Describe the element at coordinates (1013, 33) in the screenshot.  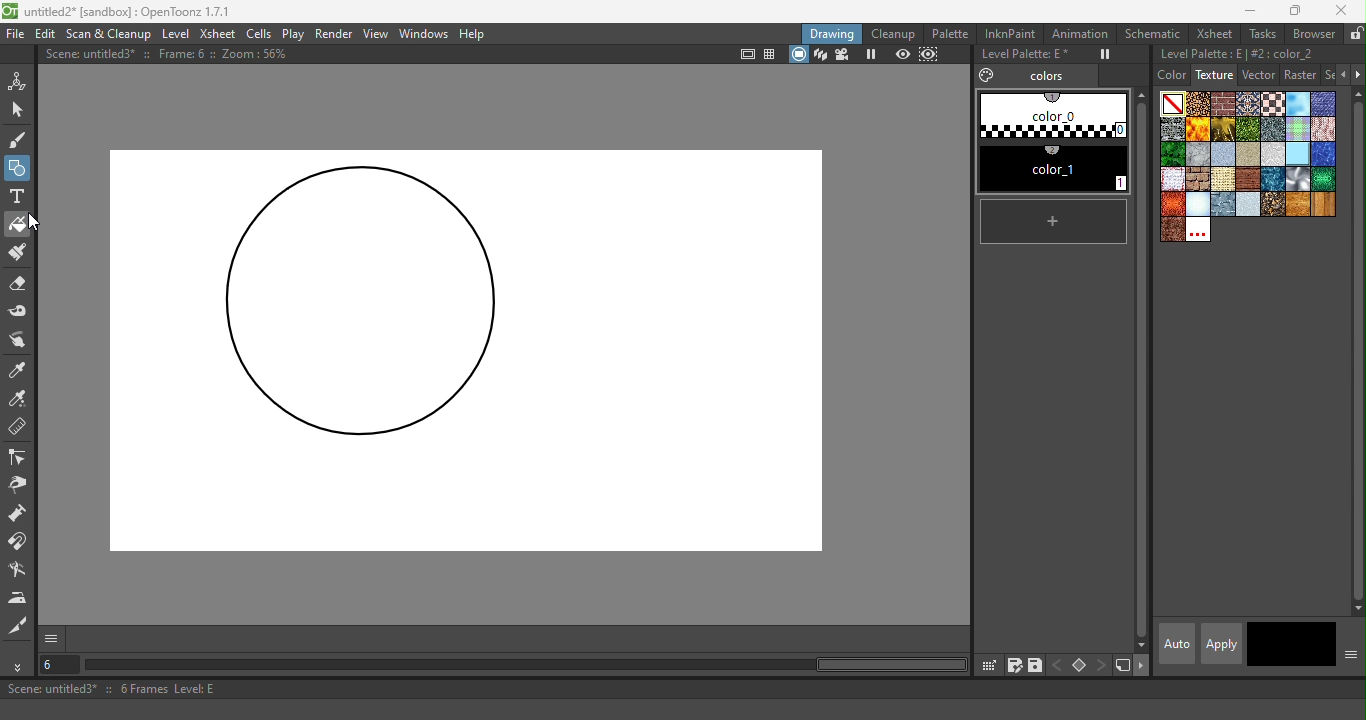
I see `InknPaint` at that location.